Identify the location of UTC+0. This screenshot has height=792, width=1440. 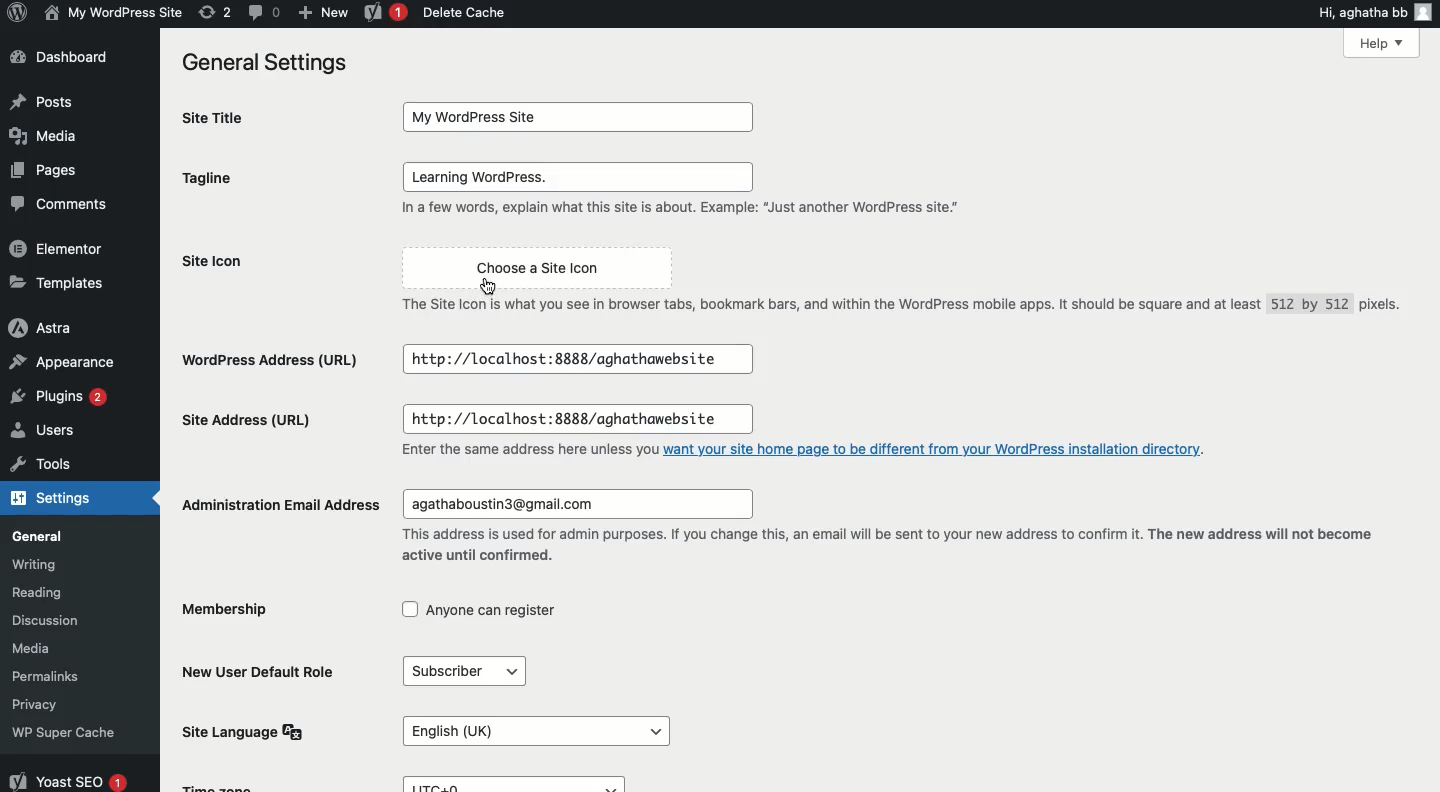
(511, 784).